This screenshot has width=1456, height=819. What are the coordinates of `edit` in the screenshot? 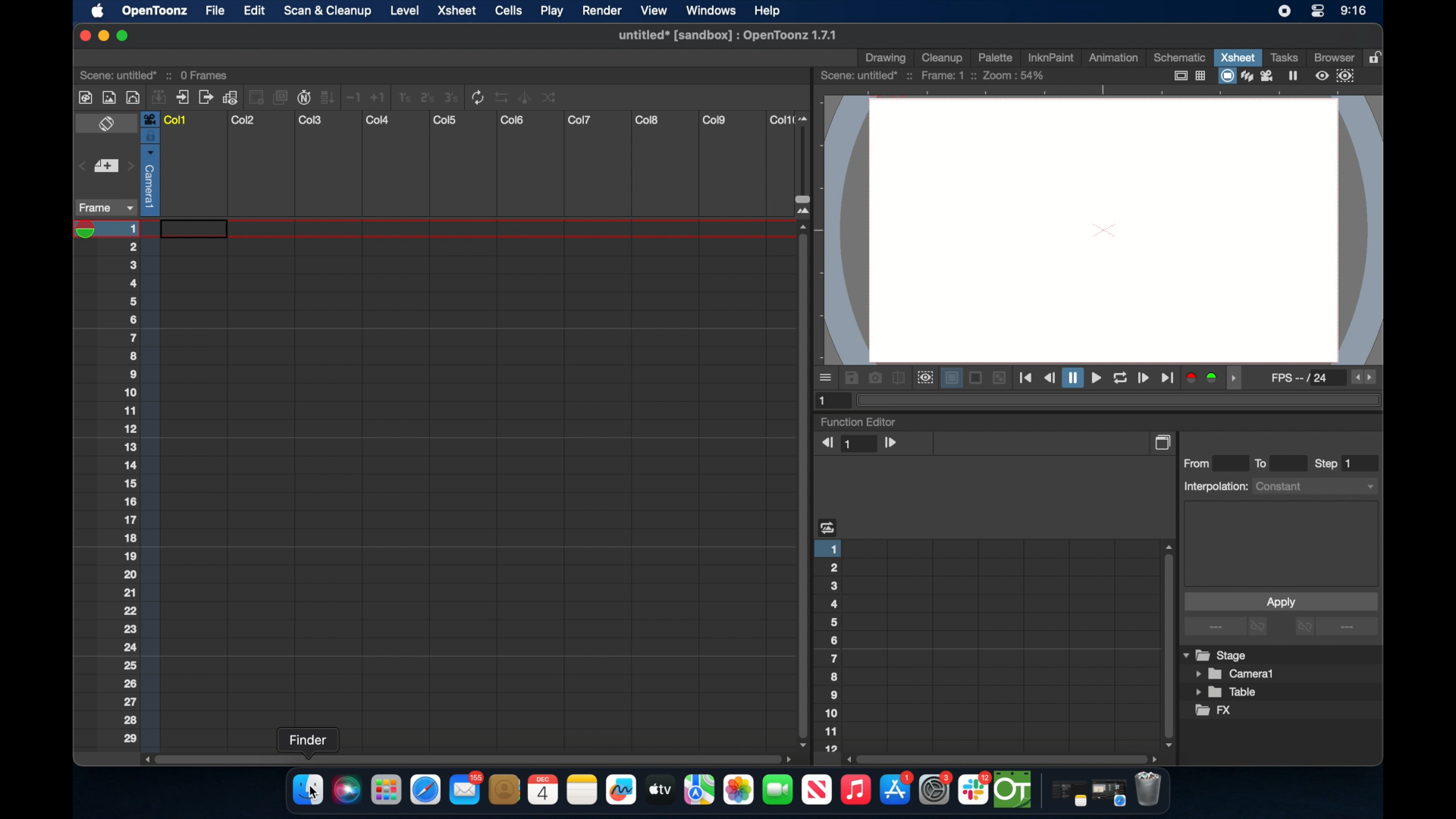 It's located at (252, 11).